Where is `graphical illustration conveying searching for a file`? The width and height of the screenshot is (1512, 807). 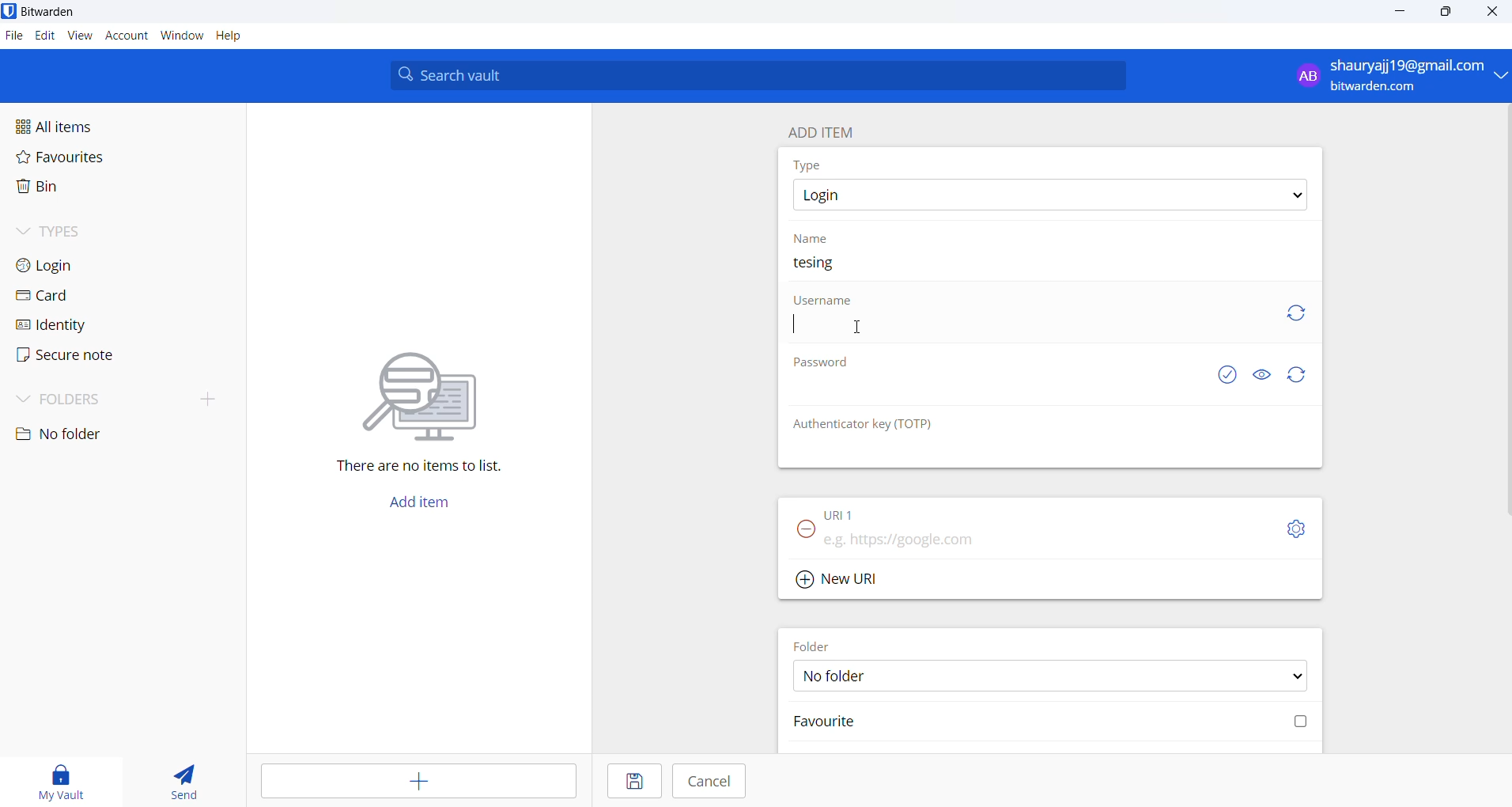 graphical illustration conveying searching for a file is located at coordinates (435, 393).